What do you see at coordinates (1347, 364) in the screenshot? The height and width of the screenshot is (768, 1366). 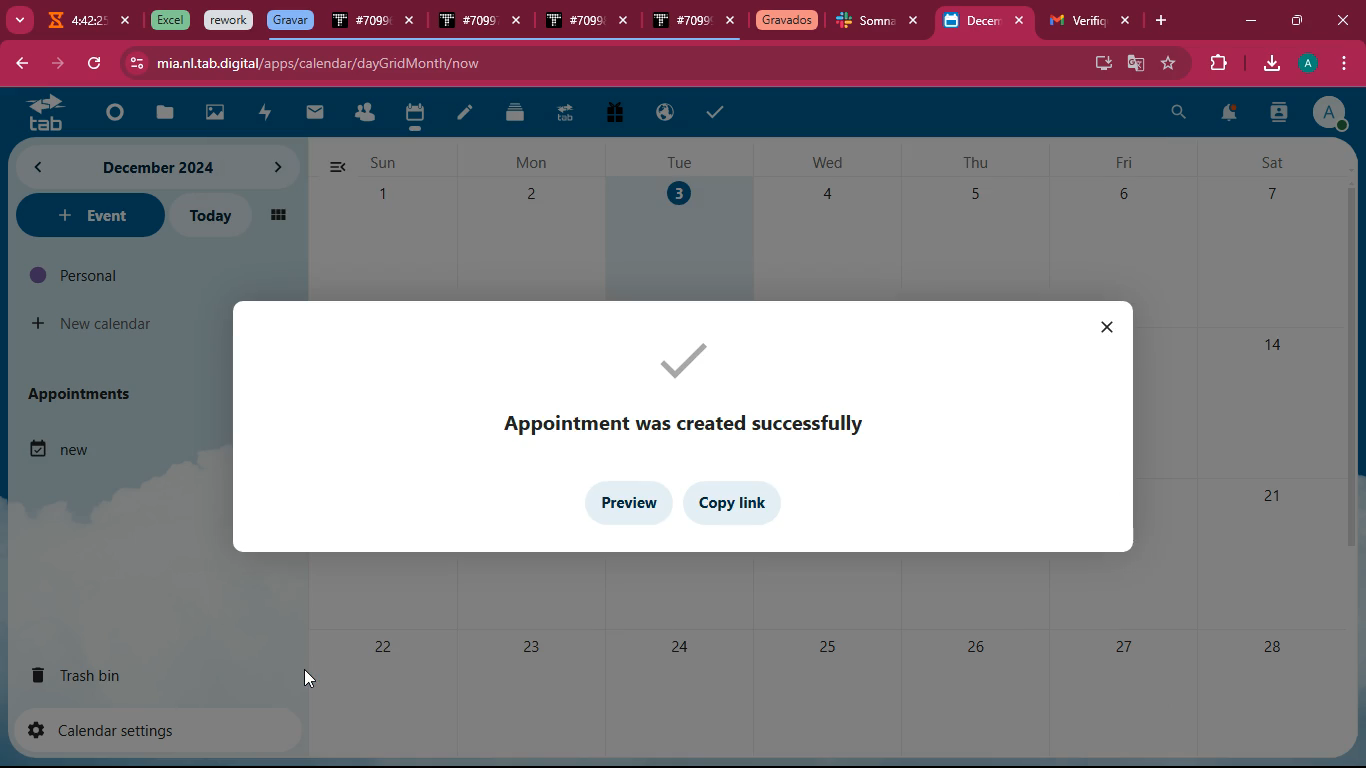 I see `scroll bar` at bounding box center [1347, 364].